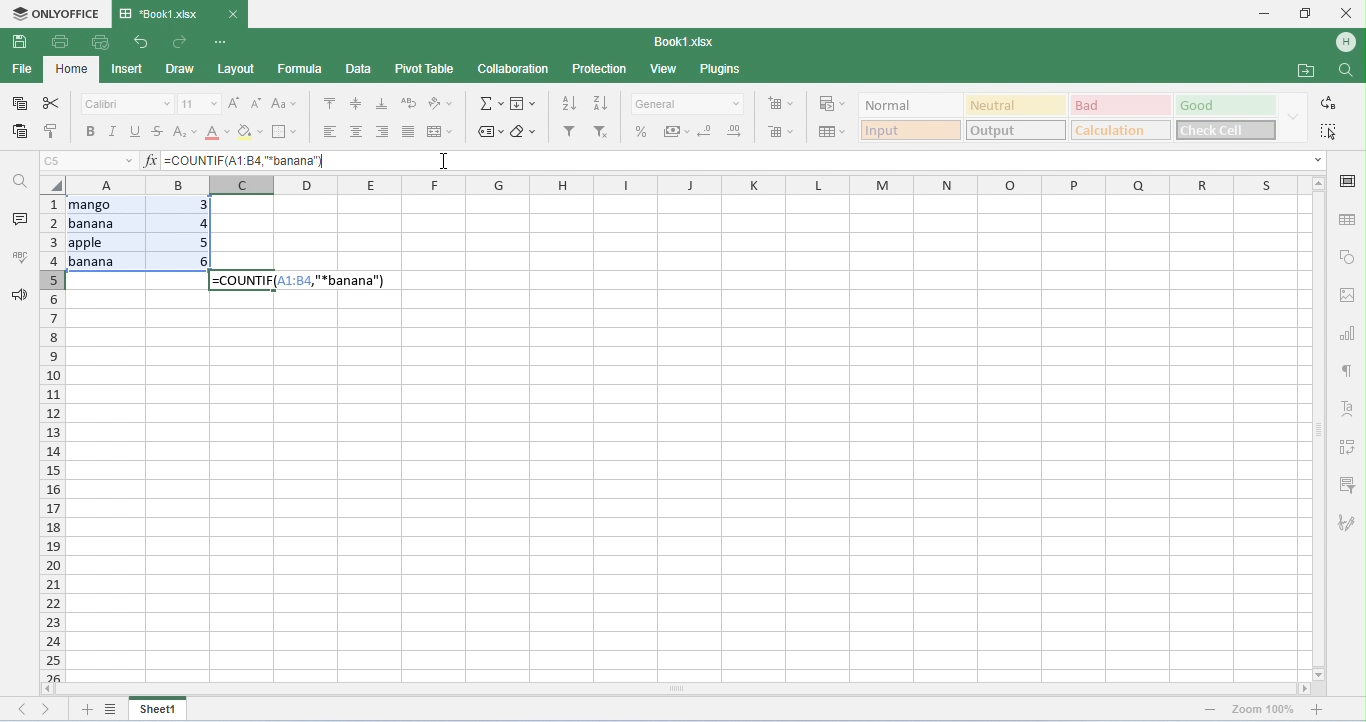 The height and width of the screenshot is (722, 1366). What do you see at coordinates (106, 224) in the screenshot?
I see `banana` at bounding box center [106, 224].